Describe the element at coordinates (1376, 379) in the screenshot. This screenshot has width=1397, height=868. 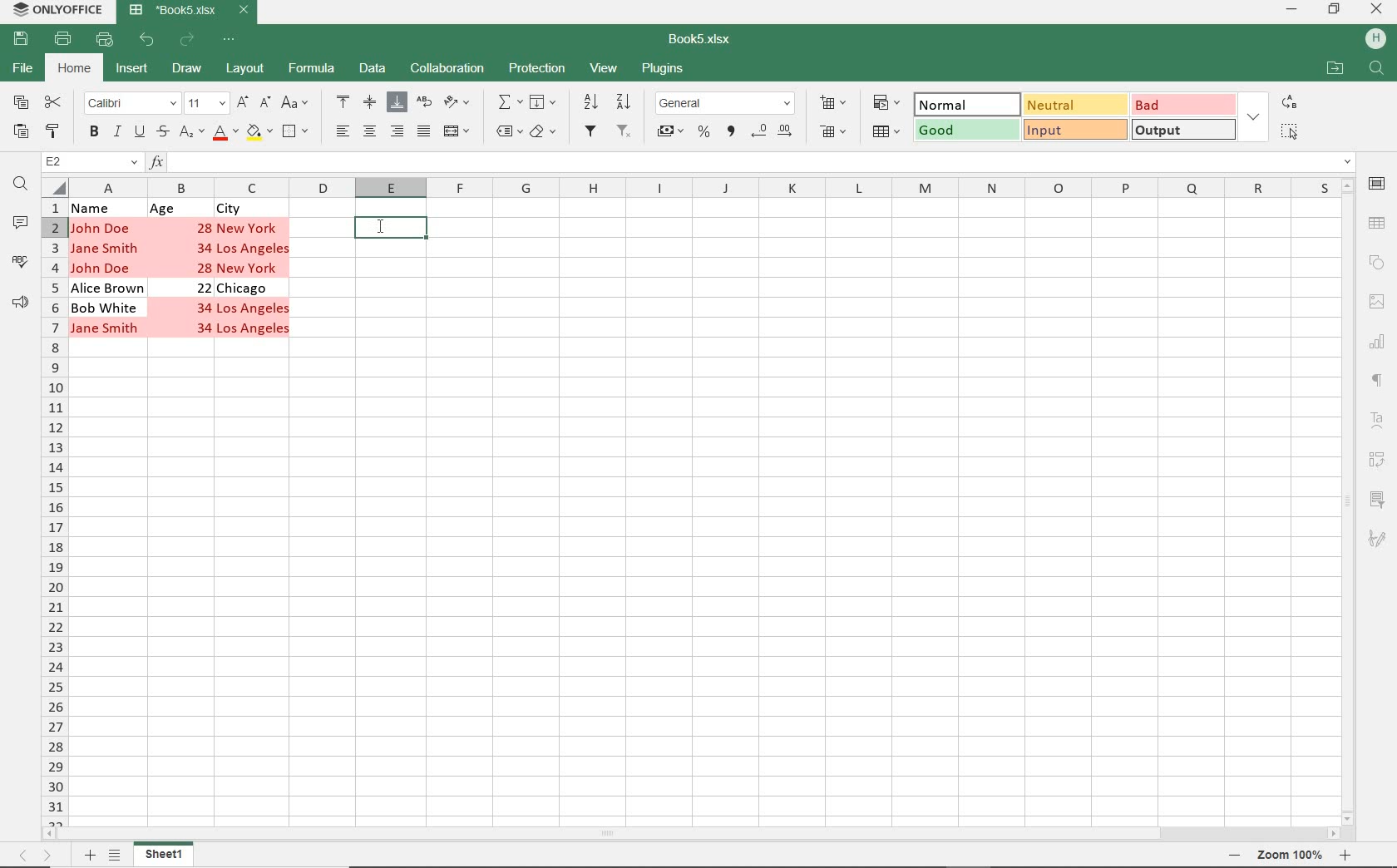
I see `PARAGRAPH SETTINGS` at that location.